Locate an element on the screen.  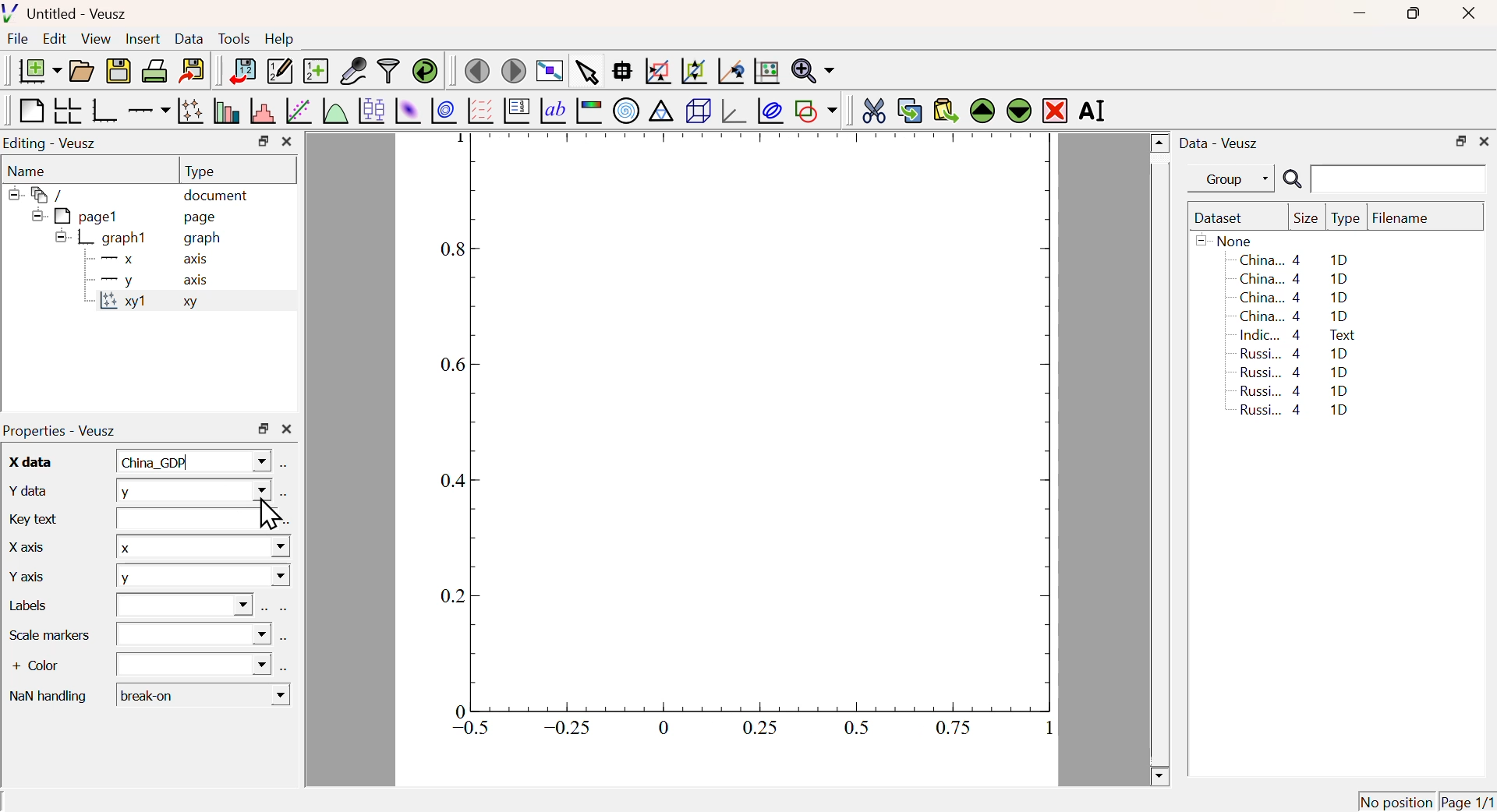
Edit is located at coordinates (55, 37).